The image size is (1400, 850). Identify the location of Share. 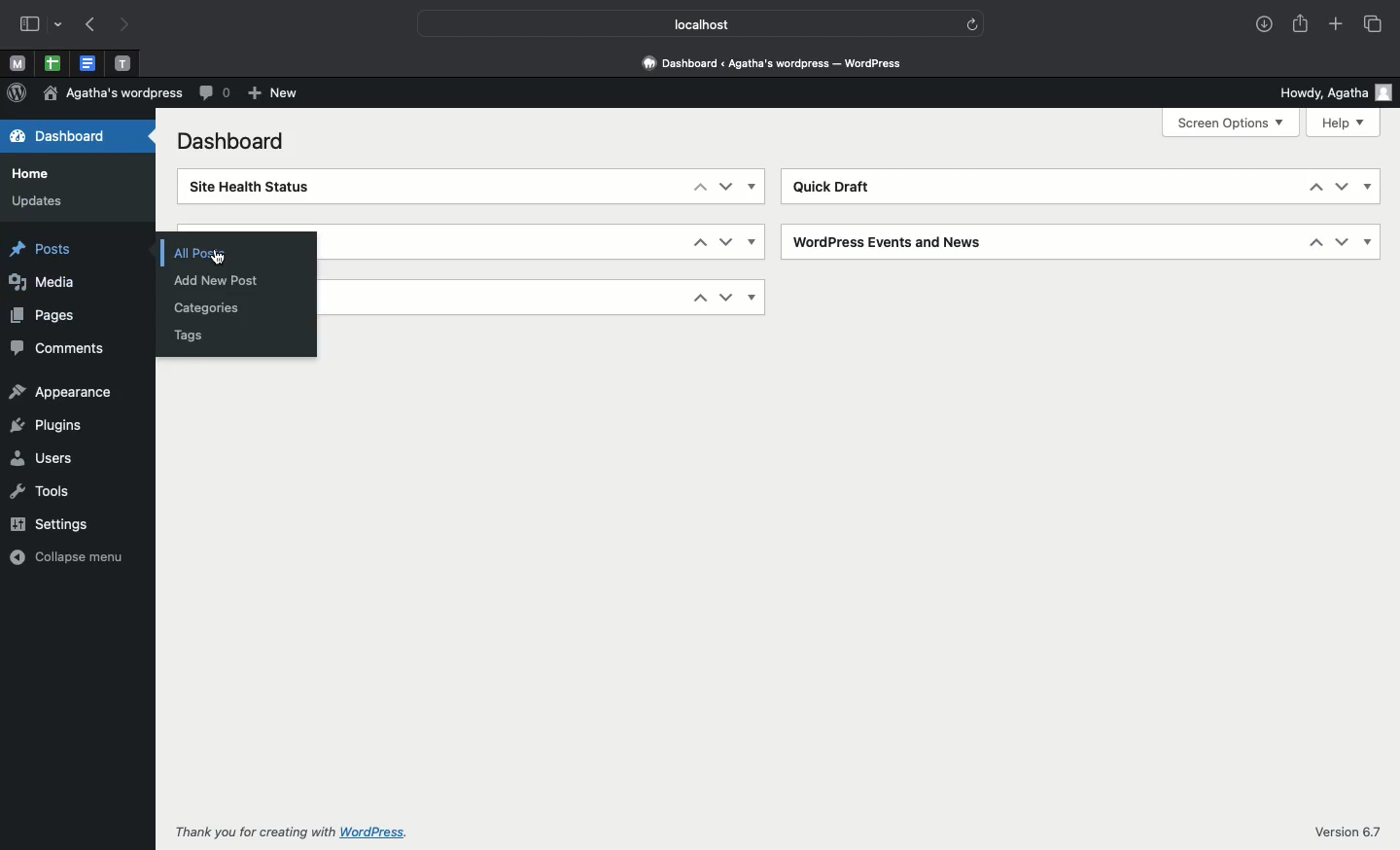
(1302, 25).